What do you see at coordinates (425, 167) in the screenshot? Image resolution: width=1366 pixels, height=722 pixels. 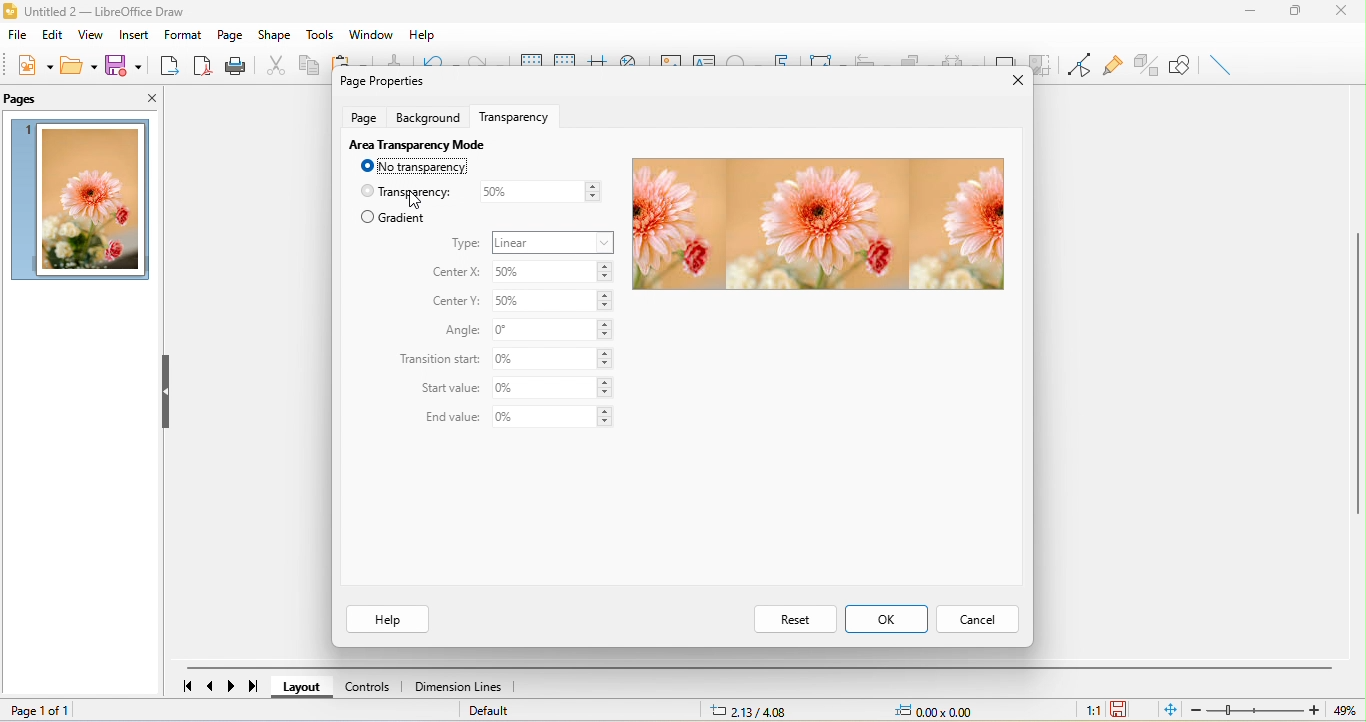 I see `no transparency` at bounding box center [425, 167].